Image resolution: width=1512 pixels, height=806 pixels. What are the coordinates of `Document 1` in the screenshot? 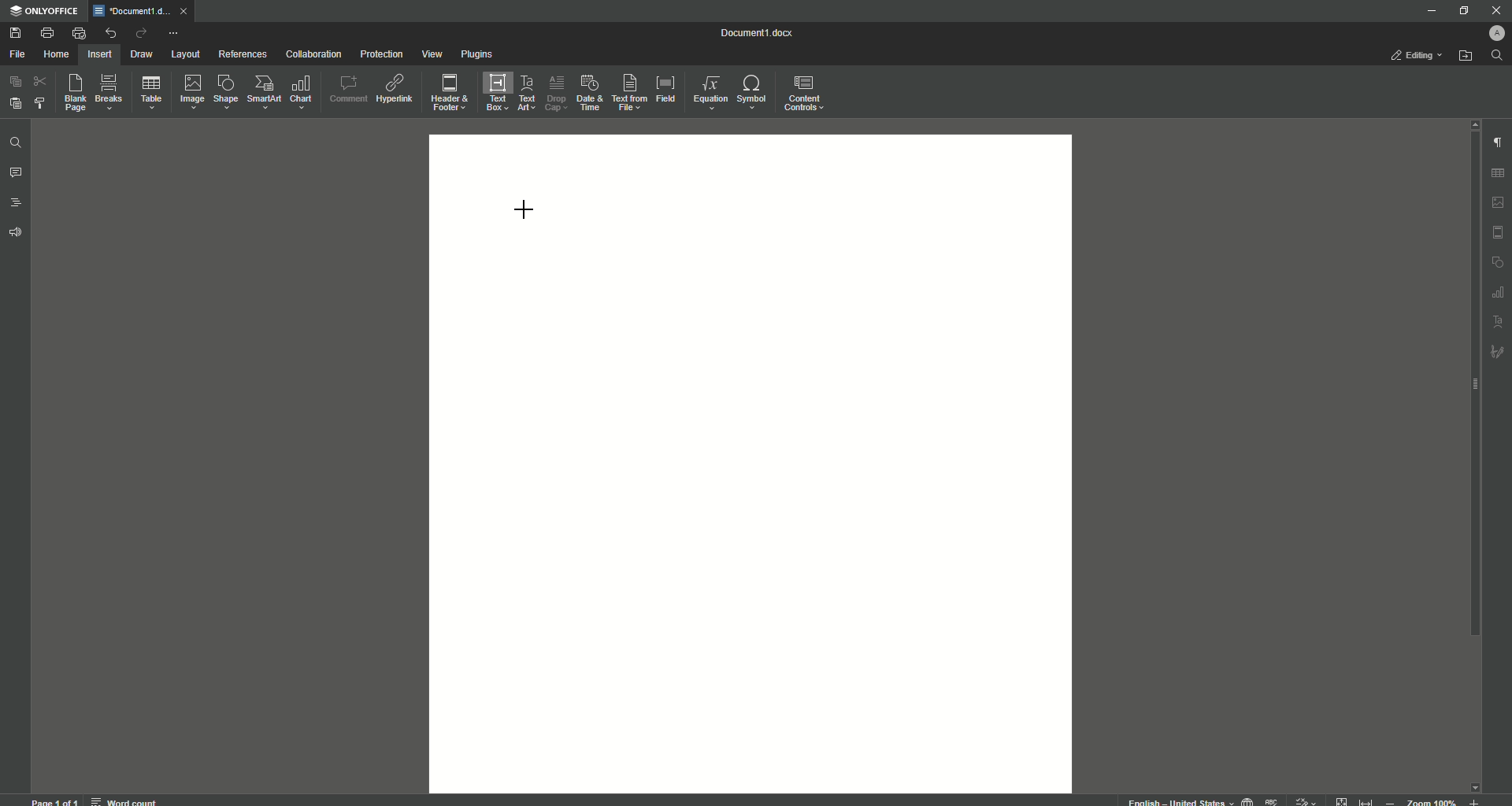 It's located at (766, 35).